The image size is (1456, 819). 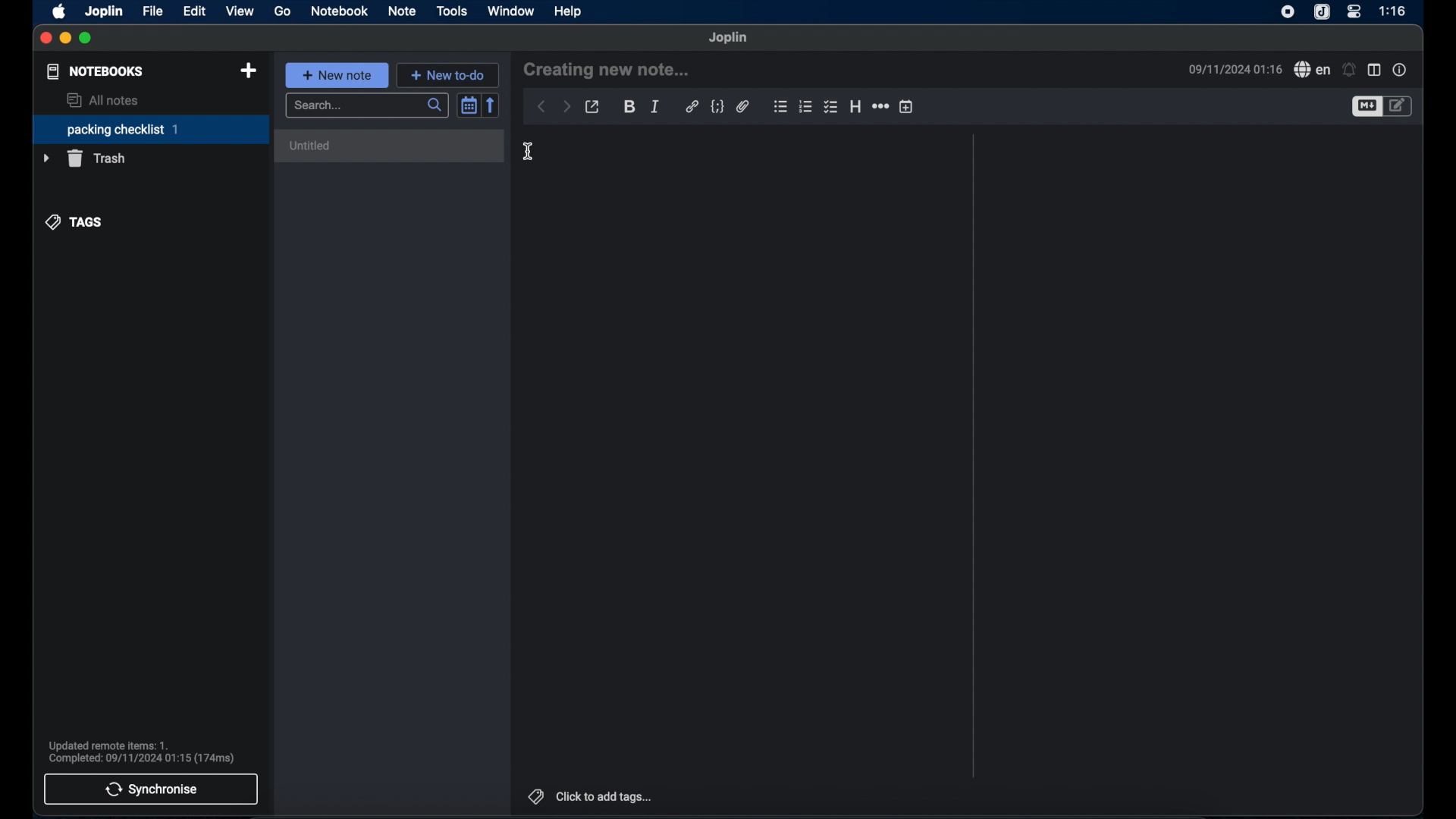 I want to click on set alarm, so click(x=1349, y=69).